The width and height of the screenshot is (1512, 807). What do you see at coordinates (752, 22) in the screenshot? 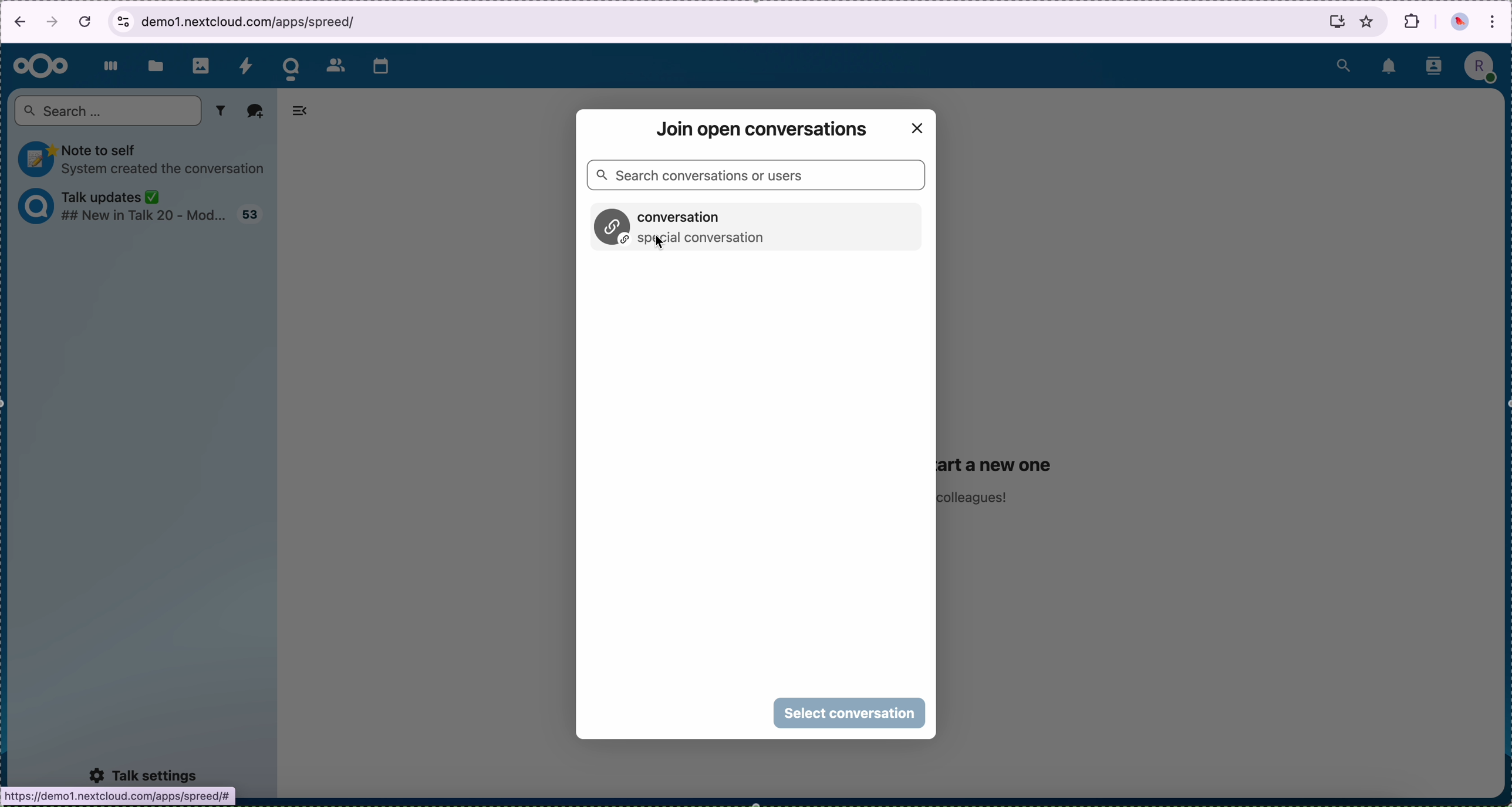
I see `browser bar` at bounding box center [752, 22].